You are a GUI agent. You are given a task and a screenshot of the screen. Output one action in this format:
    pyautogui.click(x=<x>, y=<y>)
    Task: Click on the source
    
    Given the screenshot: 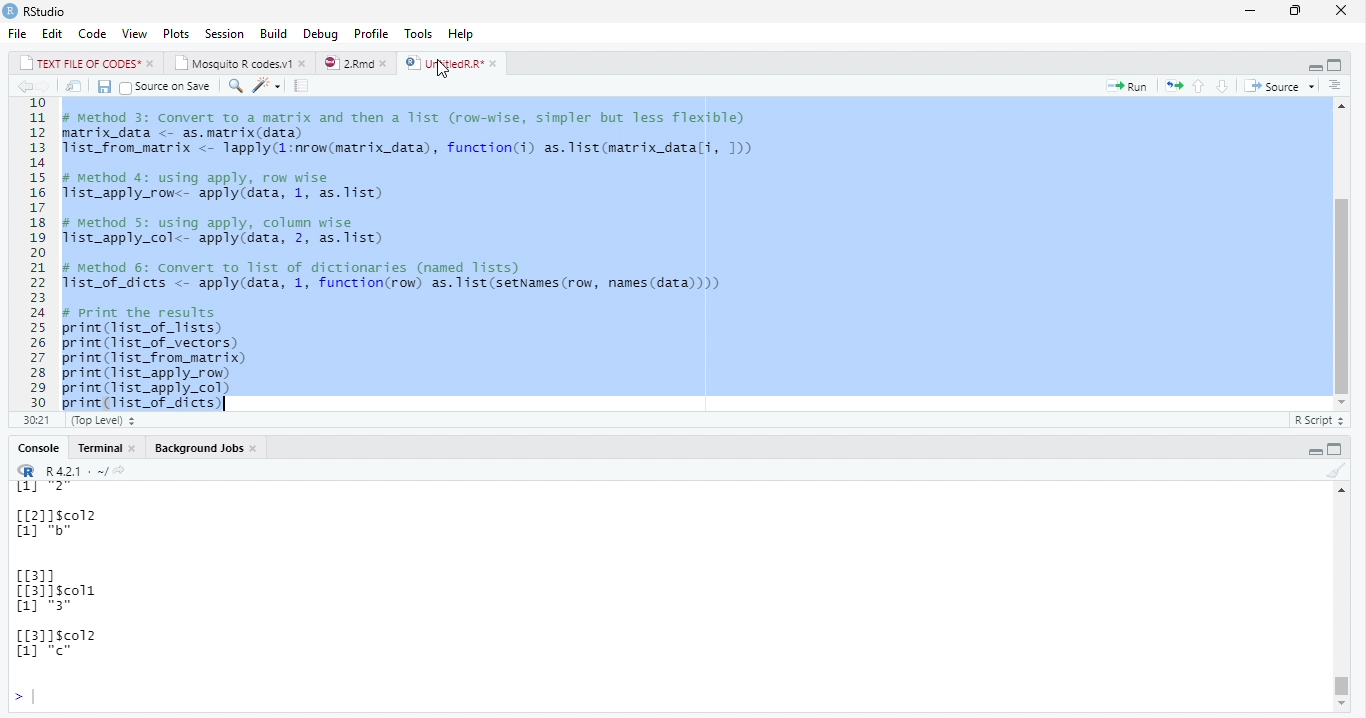 What is the action you would take?
    pyautogui.click(x=1283, y=86)
    